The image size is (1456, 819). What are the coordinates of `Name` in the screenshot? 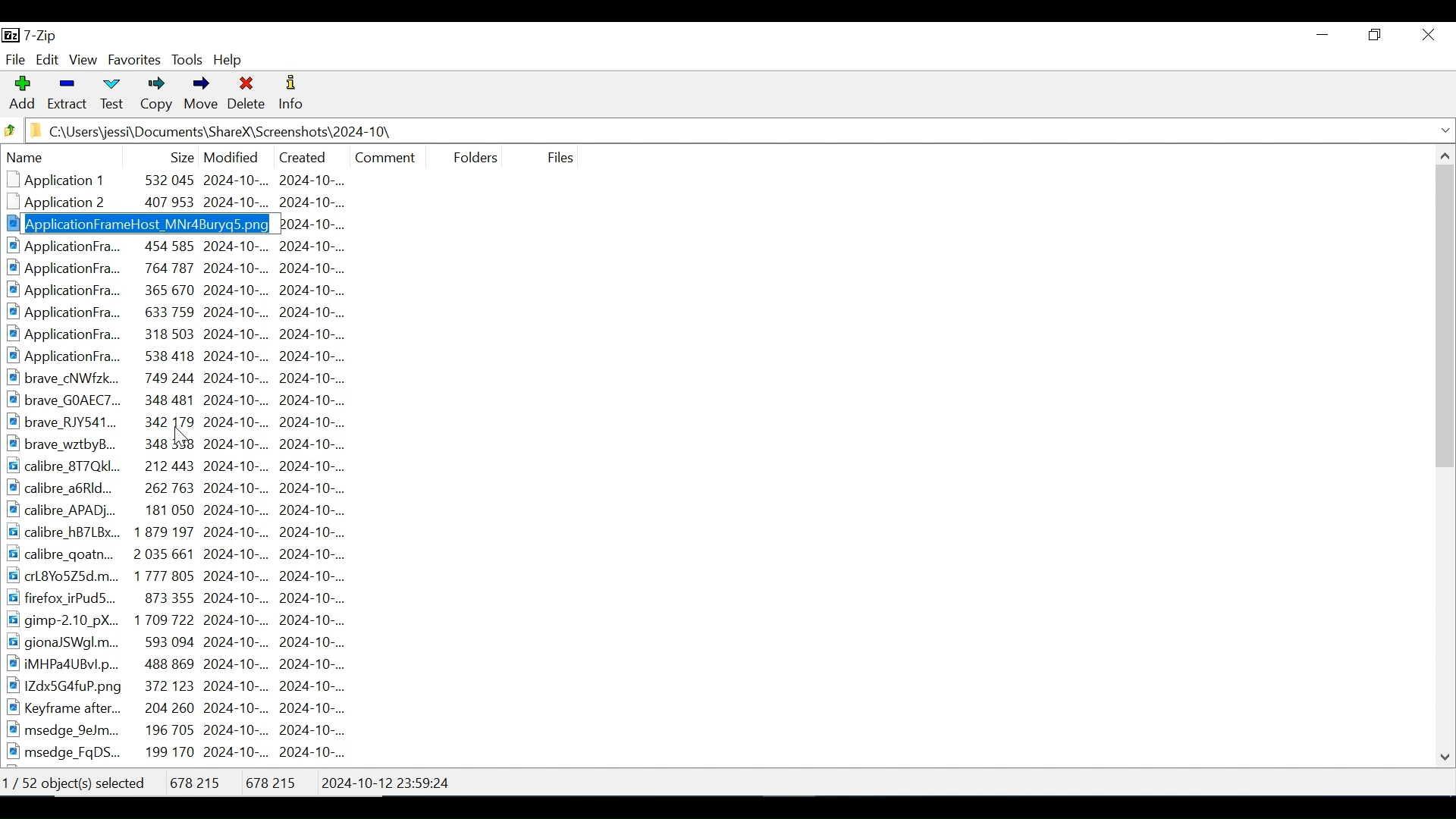 It's located at (77, 158).